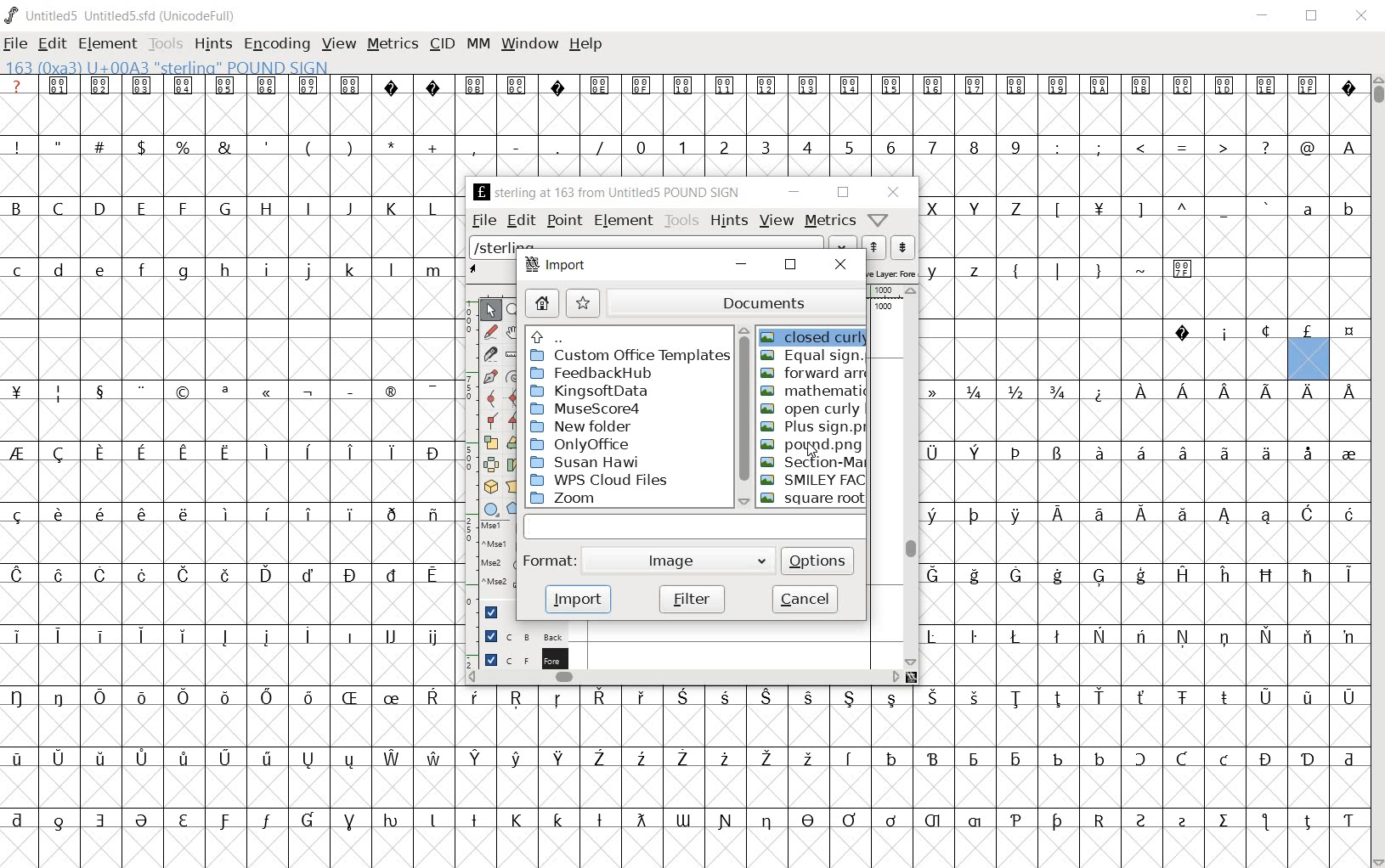 The image size is (1385, 868). What do you see at coordinates (266, 513) in the screenshot?
I see `` at bounding box center [266, 513].